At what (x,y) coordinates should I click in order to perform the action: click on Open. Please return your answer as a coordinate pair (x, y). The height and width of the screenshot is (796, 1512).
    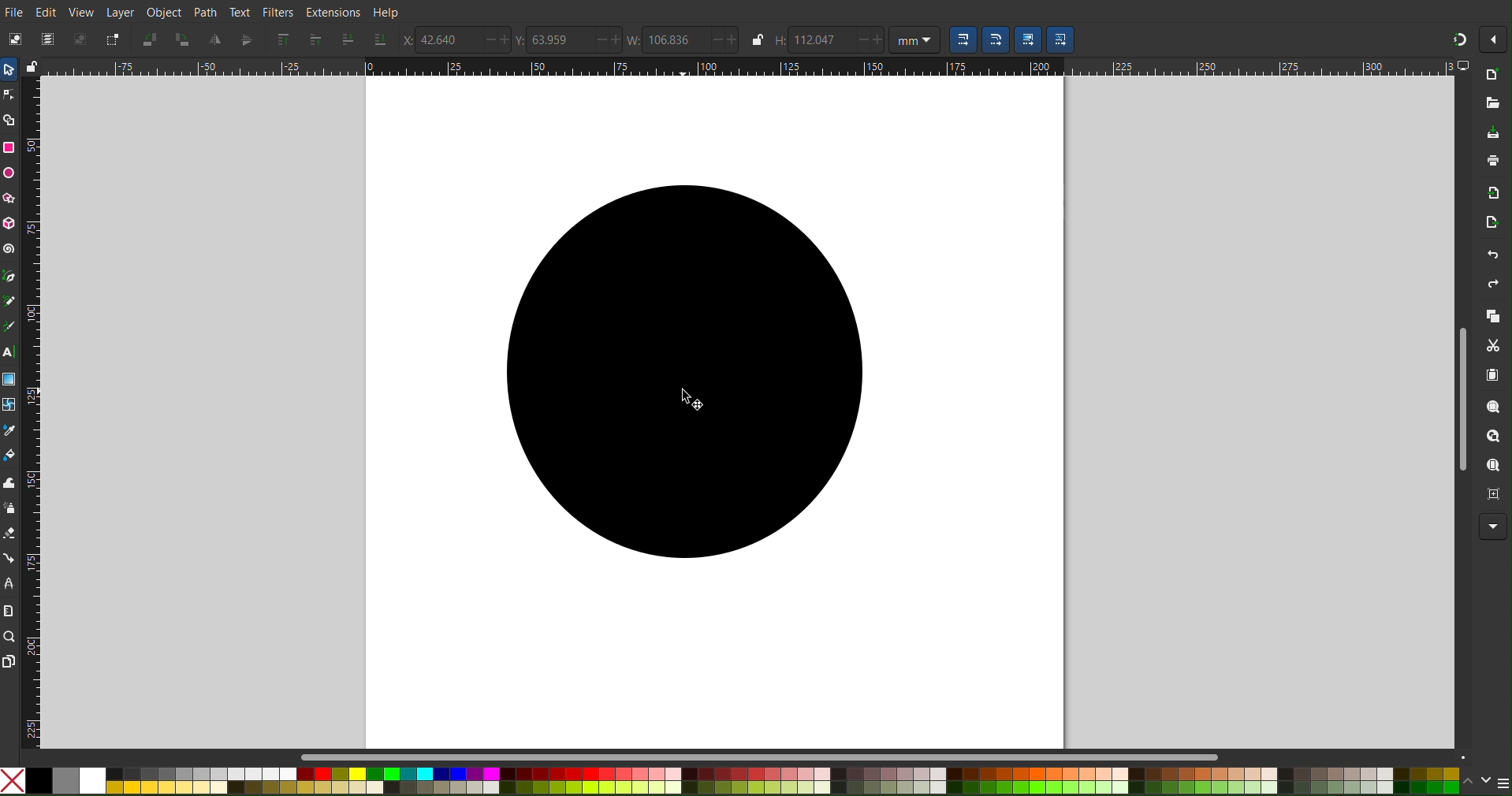
    Looking at the image, I should click on (1492, 104).